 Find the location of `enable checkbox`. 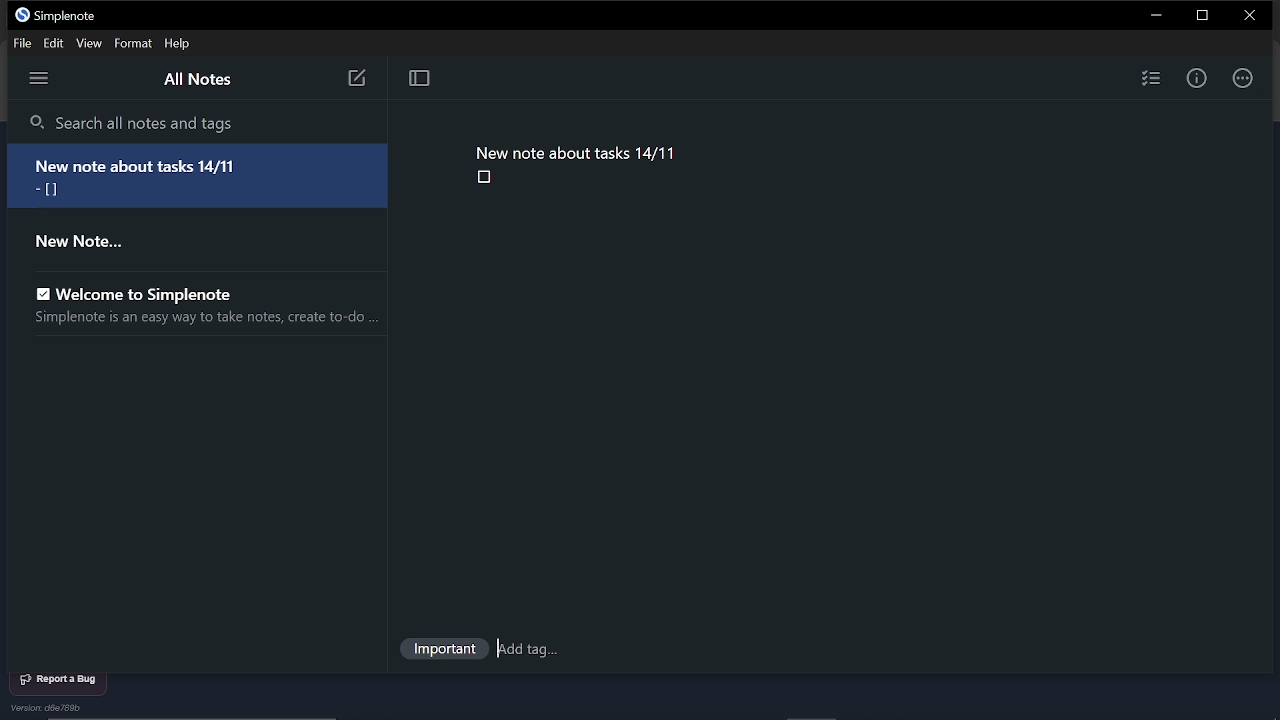

enable checkbox is located at coordinates (37, 289).